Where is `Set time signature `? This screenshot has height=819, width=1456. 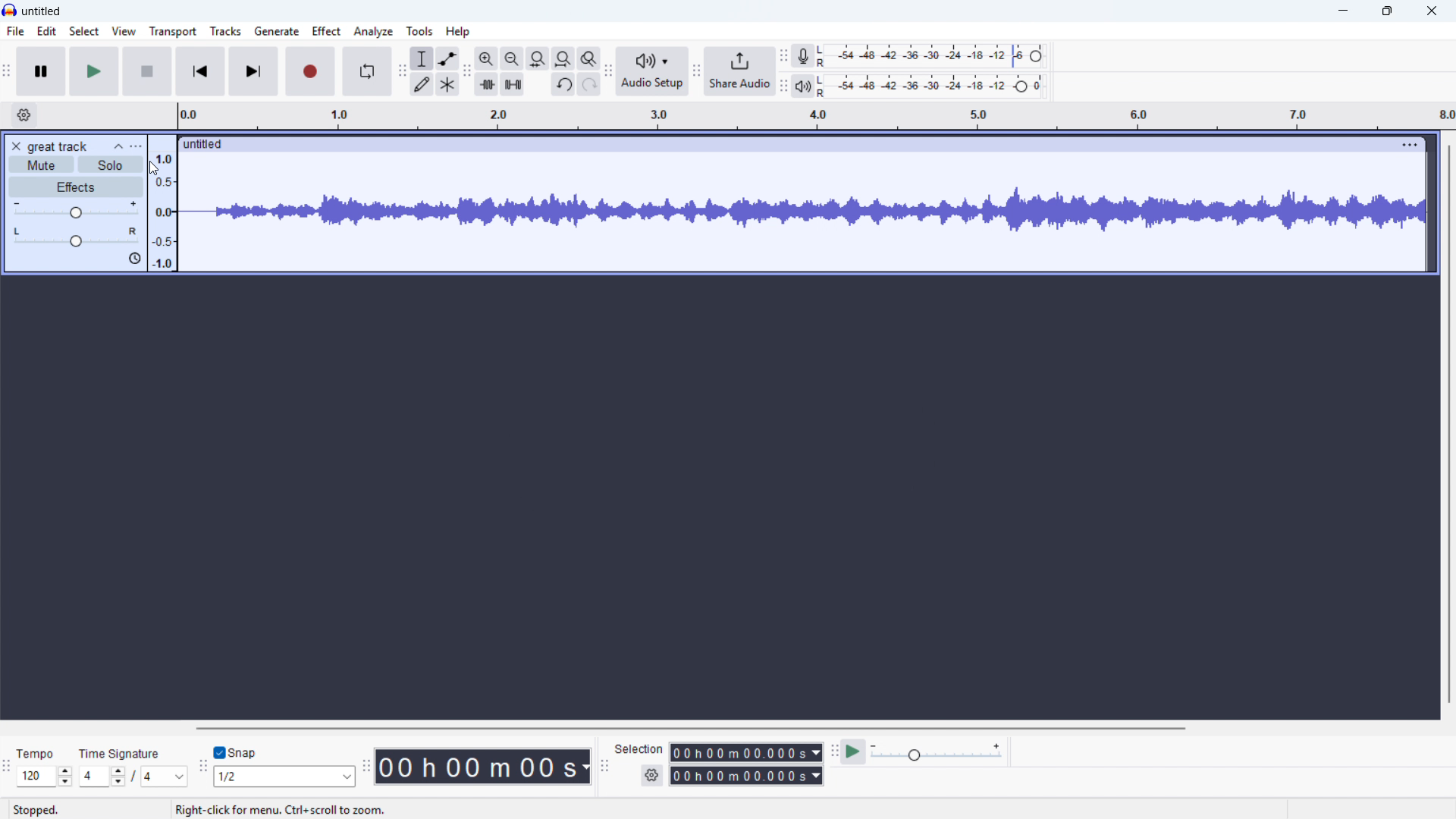 Set time signature  is located at coordinates (134, 777).